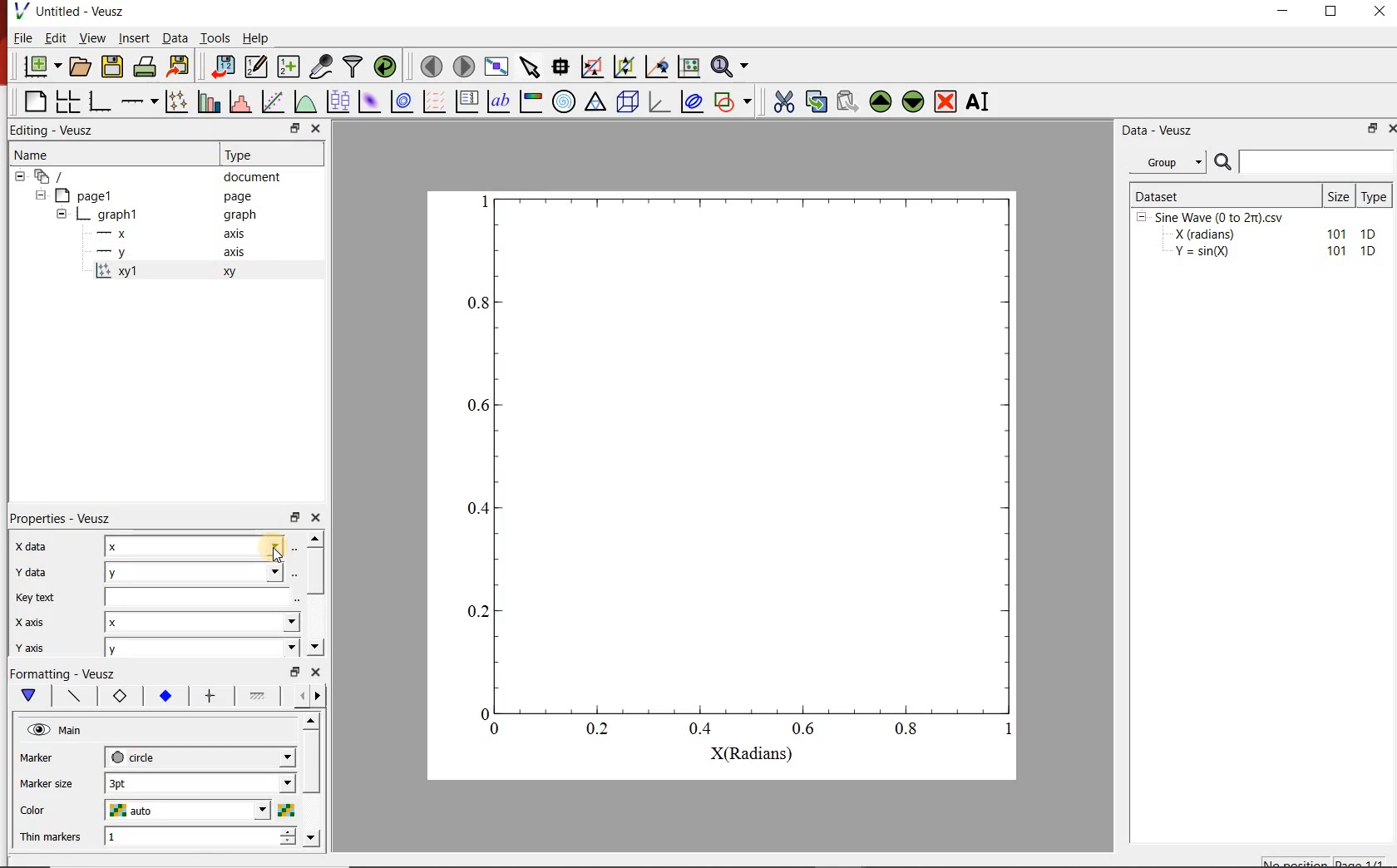 The image size is (1397, 868). What do you see at coordinates (180, 66) in the screenshot?
I see `export to graphics` at bounding box center [180, 66].